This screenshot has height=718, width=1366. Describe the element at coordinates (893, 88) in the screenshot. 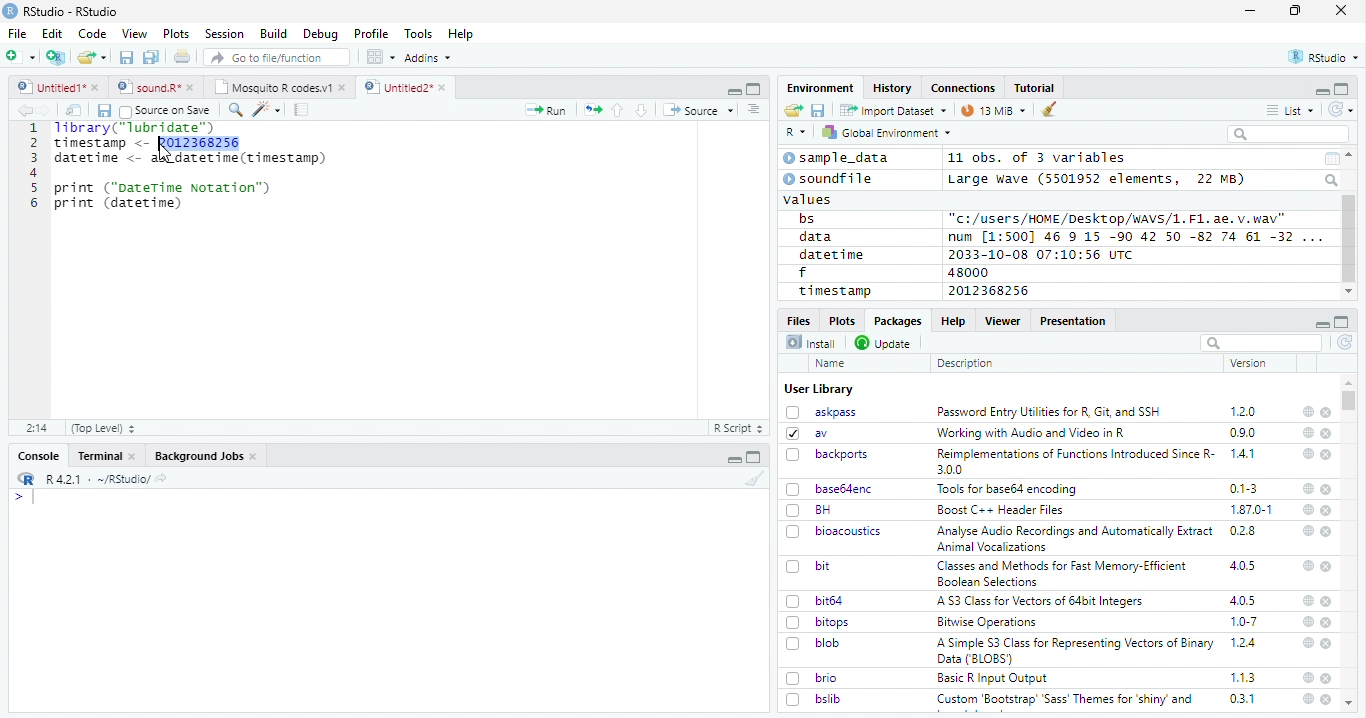

I see `History` at that location.